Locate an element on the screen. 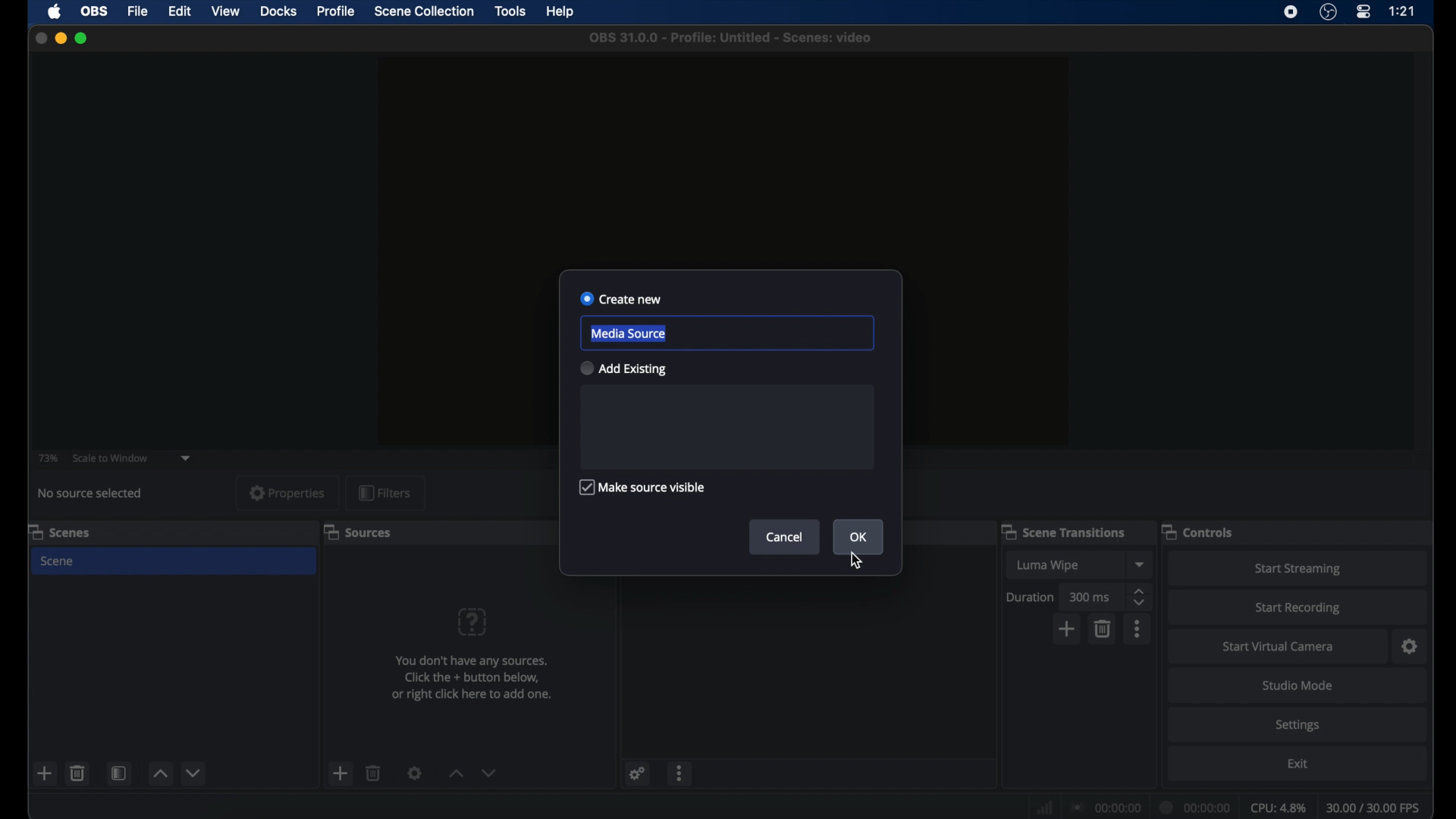 The height and width of the screenshot is (819, 1456). filters is located at coordinates (385, 492).